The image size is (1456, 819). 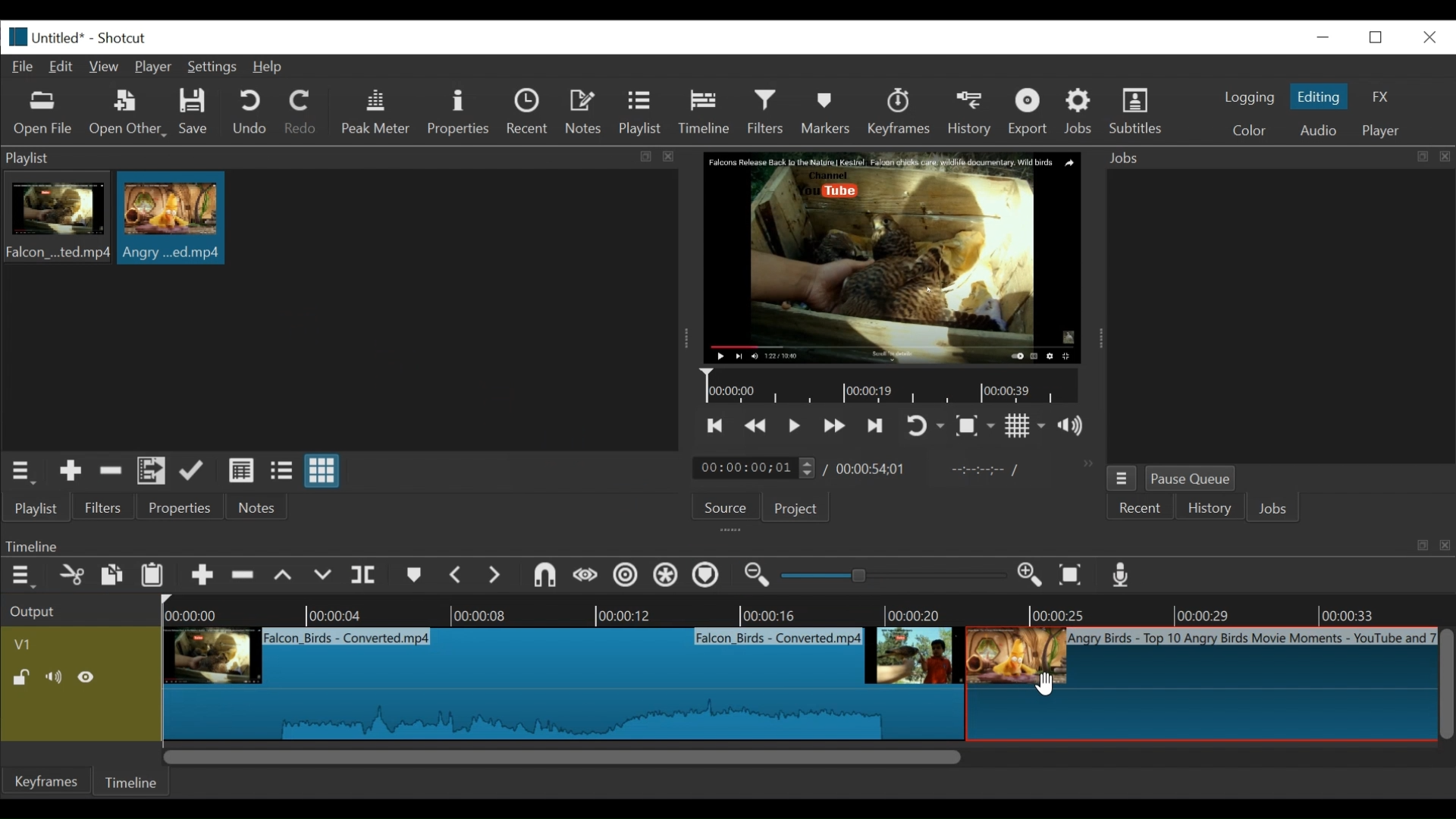 What do you see at coordinates (104, 508) in the screenshot?
I see `Filters` at bounding box center [104, 508].